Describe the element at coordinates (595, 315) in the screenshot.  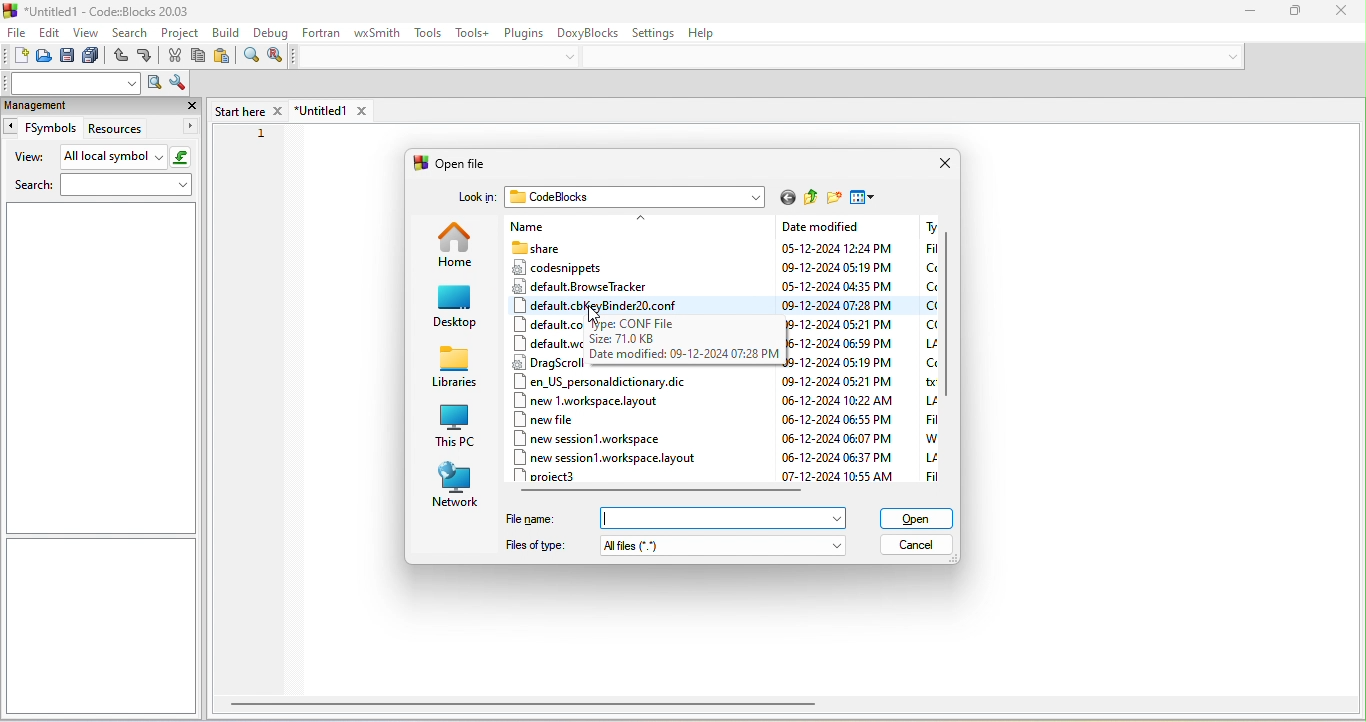
I see `cursor movement` at that location.